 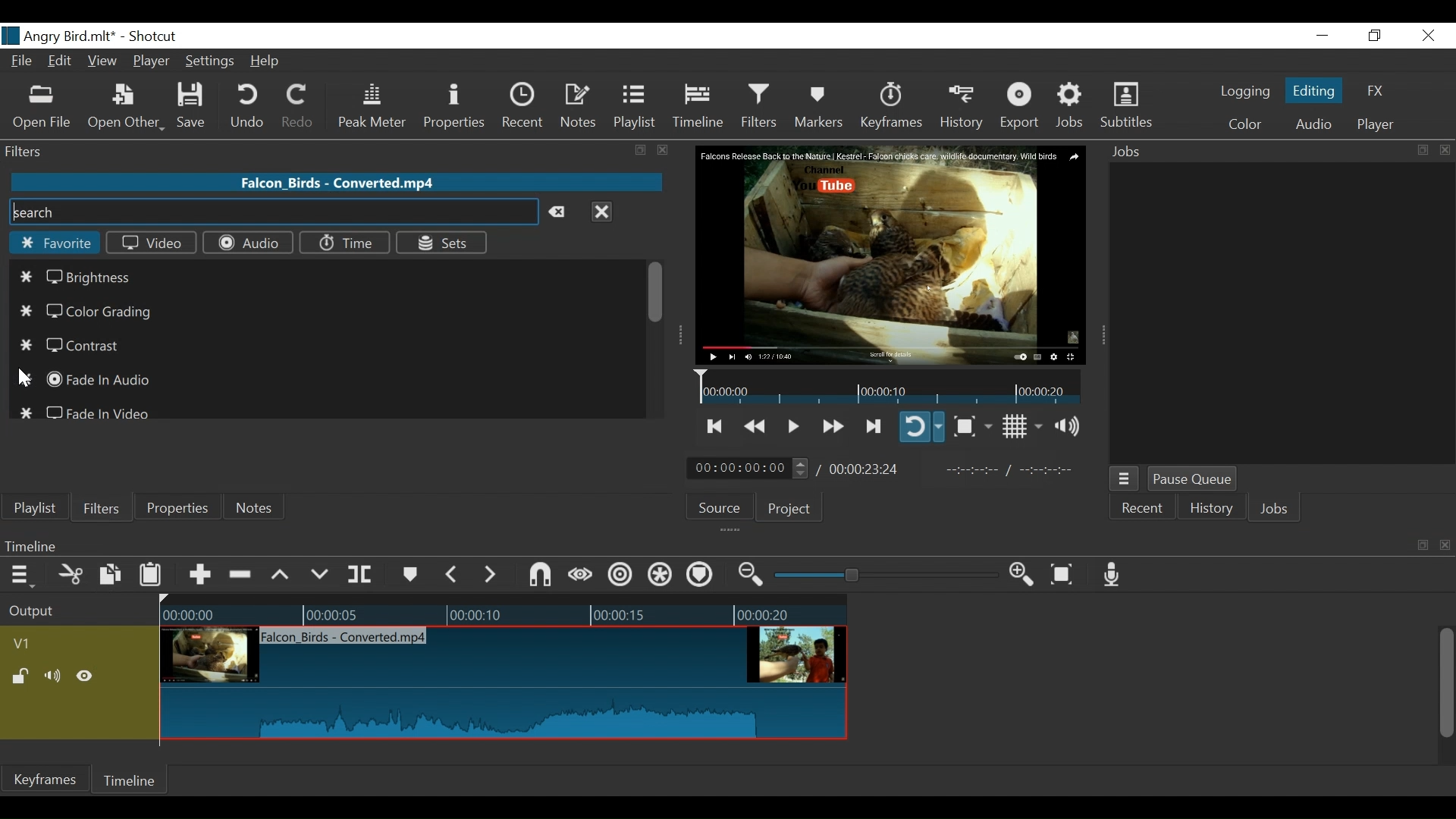 I want to click on Audio, so click(x=247, y=243).